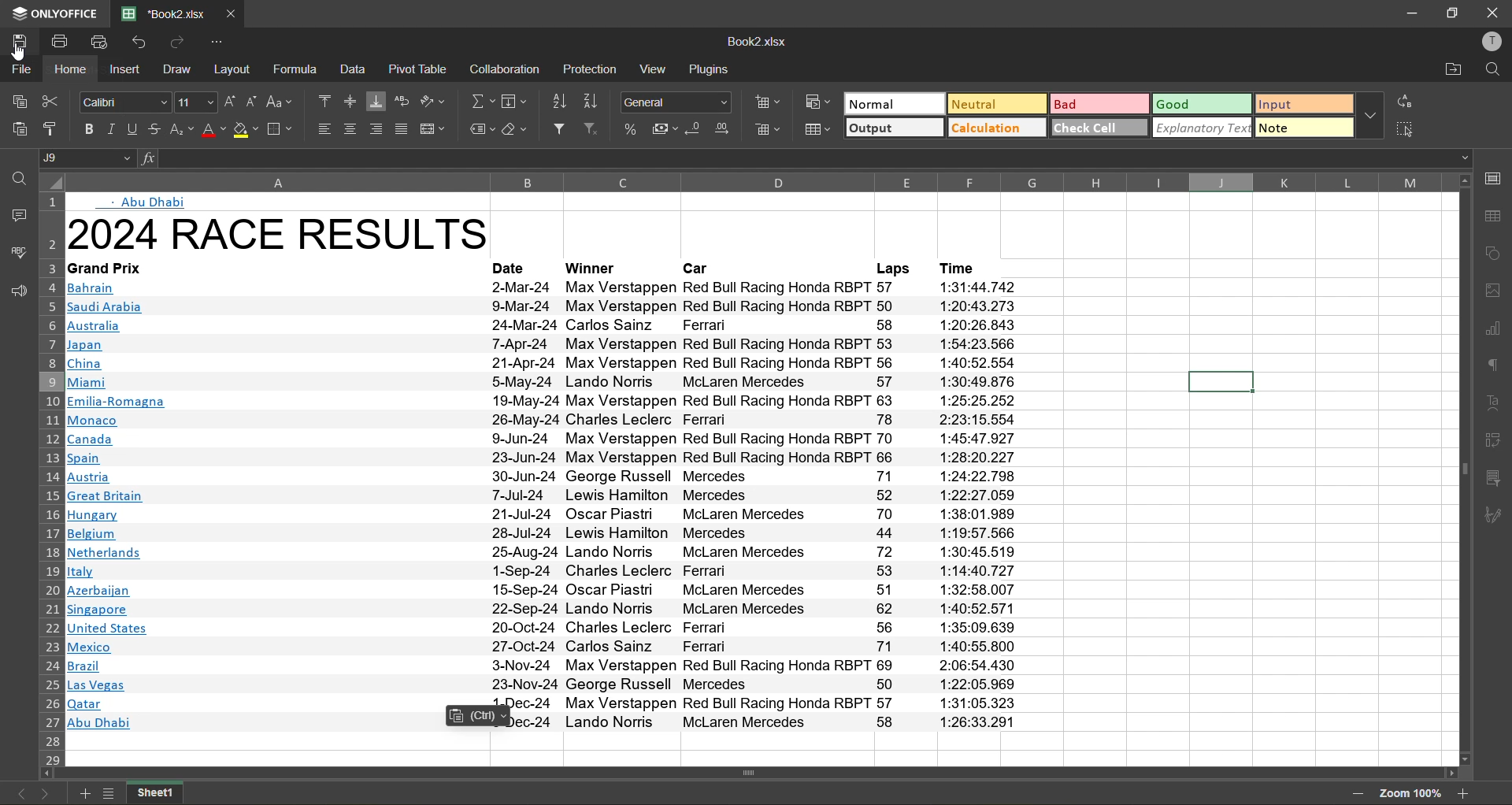  Describe the element at coordinates (1304, 103) in the screenshot. I see `input` at that location.